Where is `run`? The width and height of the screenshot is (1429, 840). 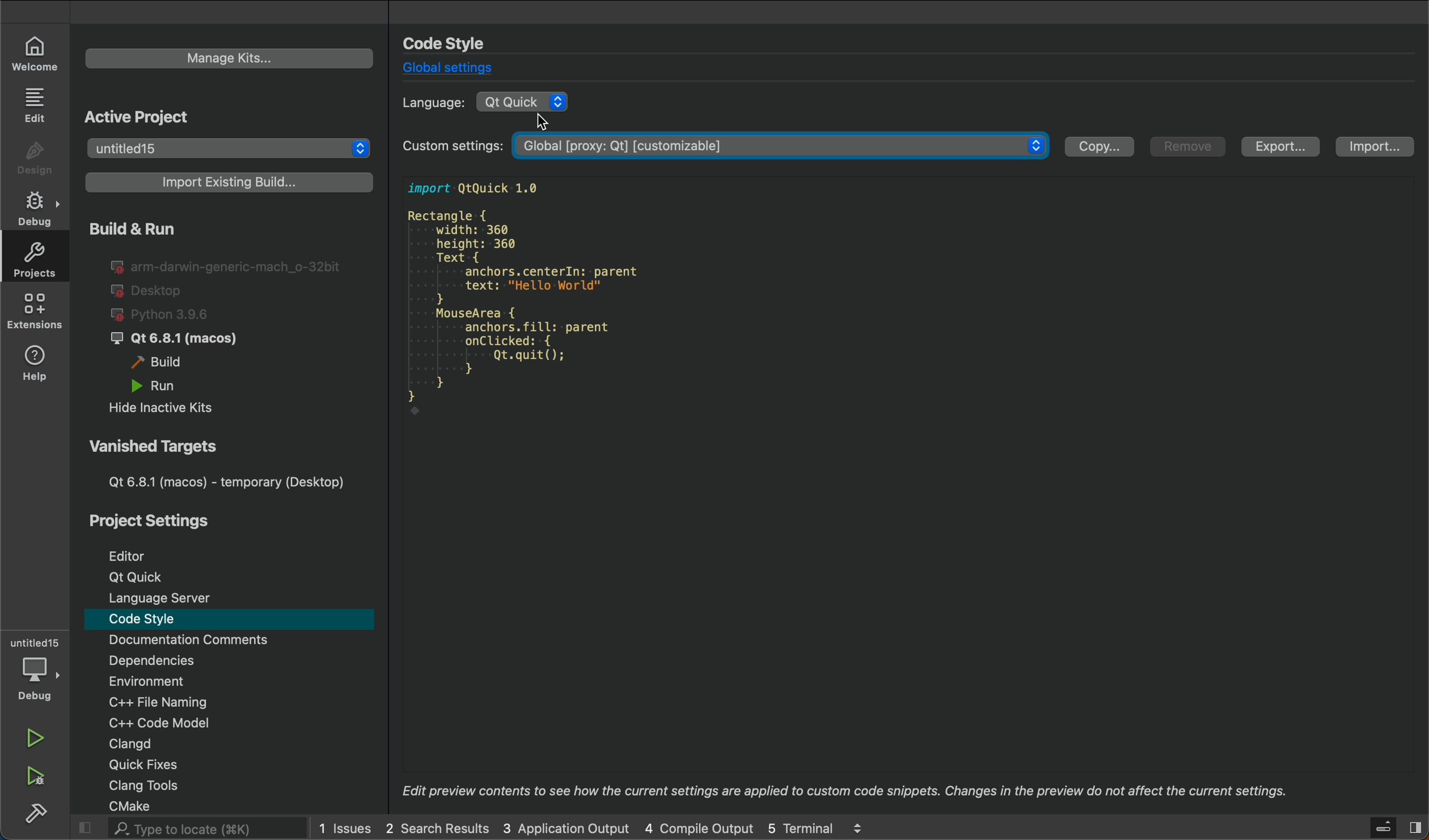
run is located at coordinates (36, 740).